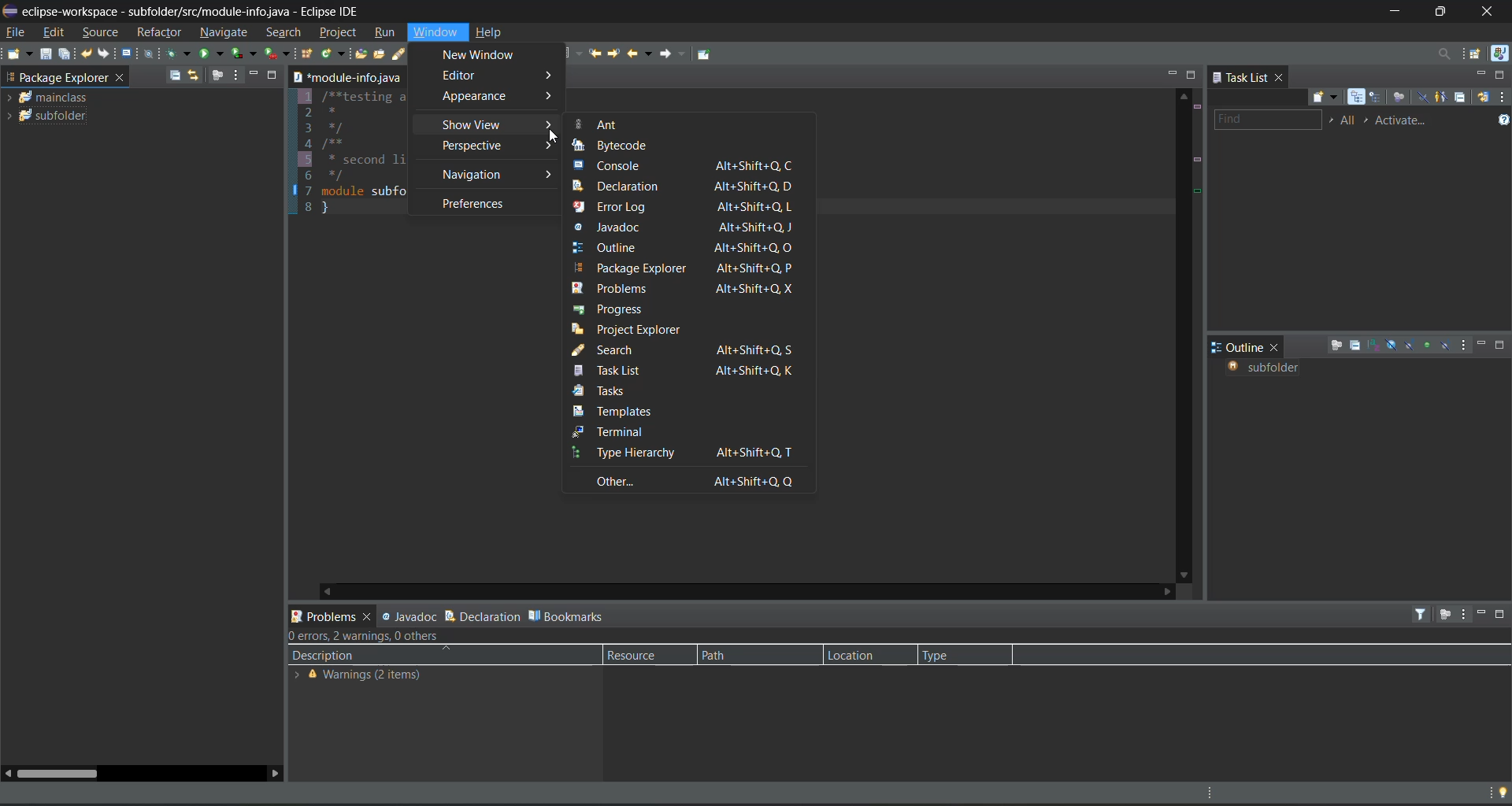 This screenshot has width=1512, height=806. What do you see at coordinates (687, 371) in the screenshot?
I see `task list` at bounding box center [687, 371].